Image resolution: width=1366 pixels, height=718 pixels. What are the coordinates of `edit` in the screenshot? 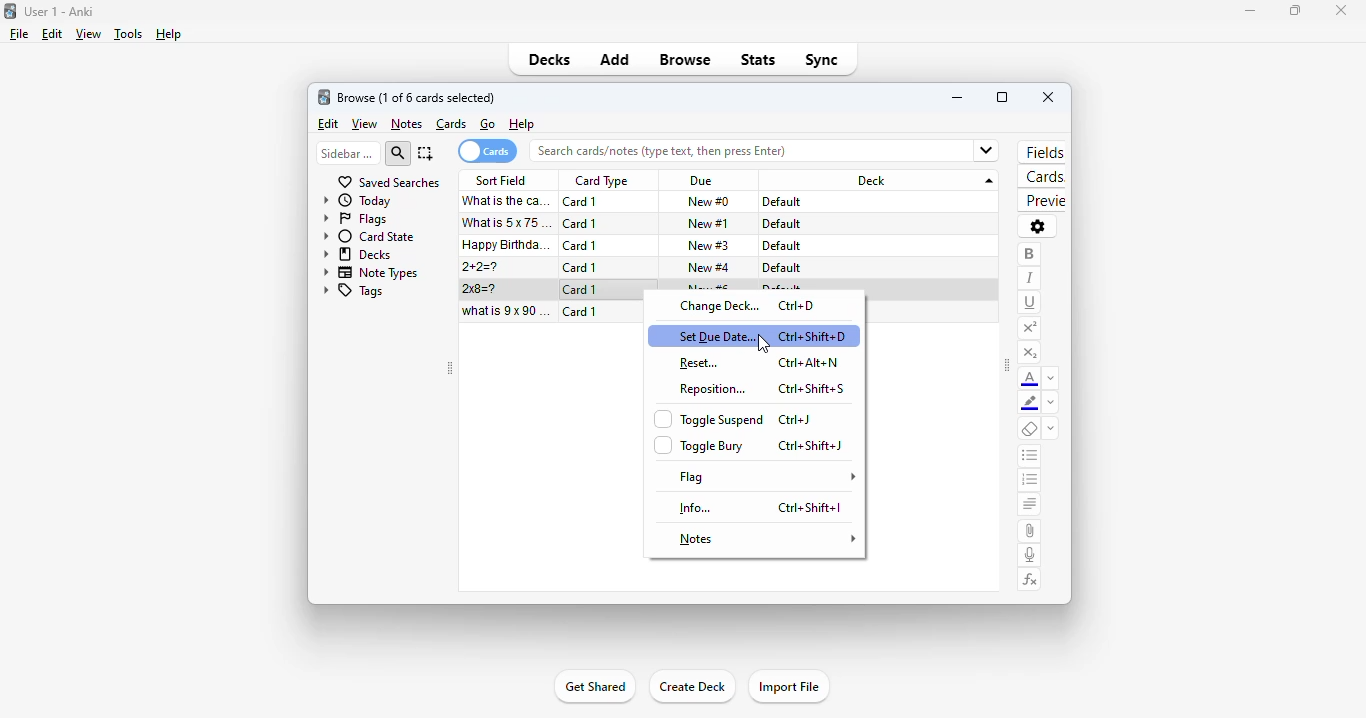 It's located at (51, 34).